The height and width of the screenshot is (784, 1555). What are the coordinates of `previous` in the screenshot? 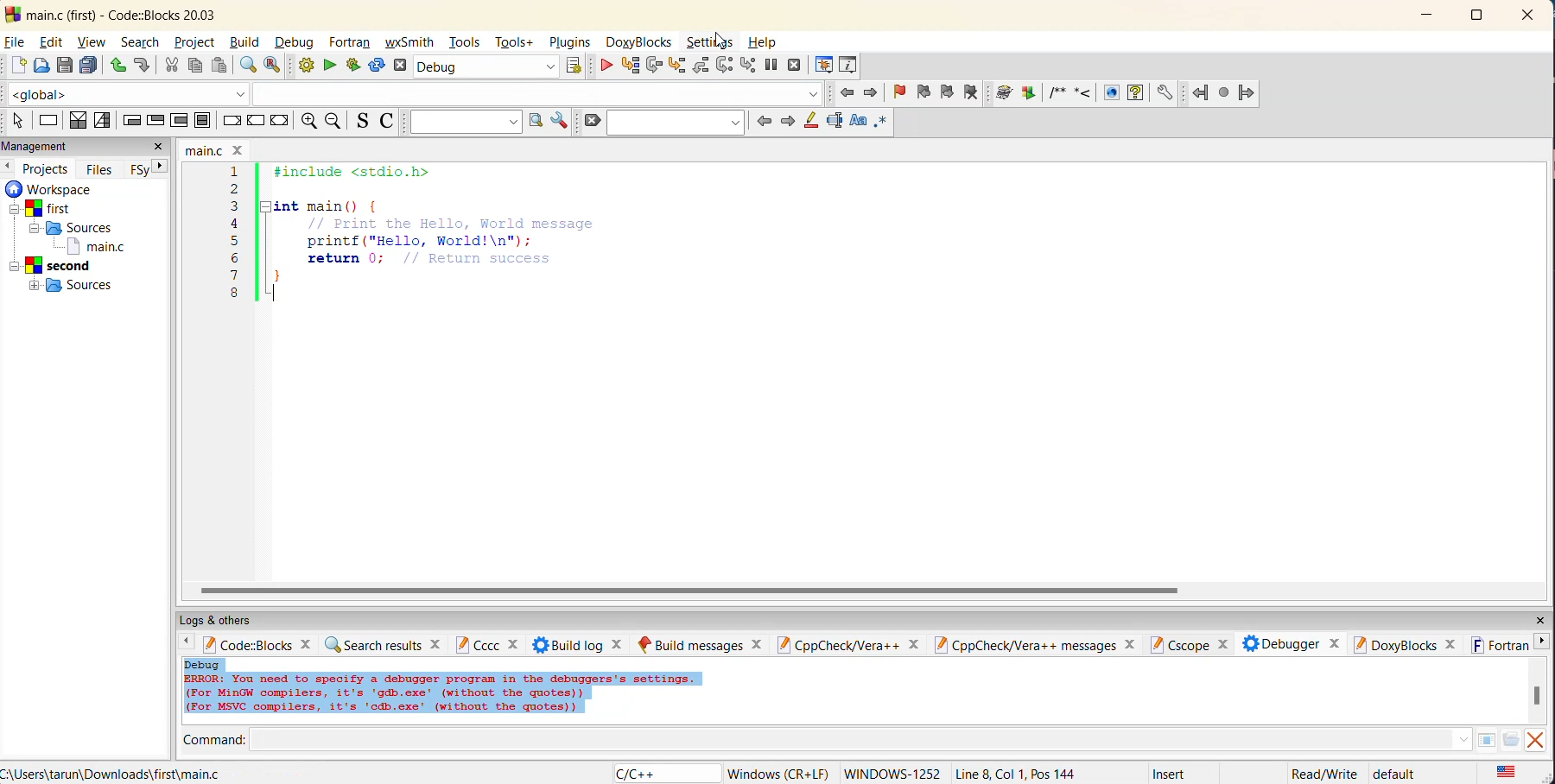 It's located at (187, 644).